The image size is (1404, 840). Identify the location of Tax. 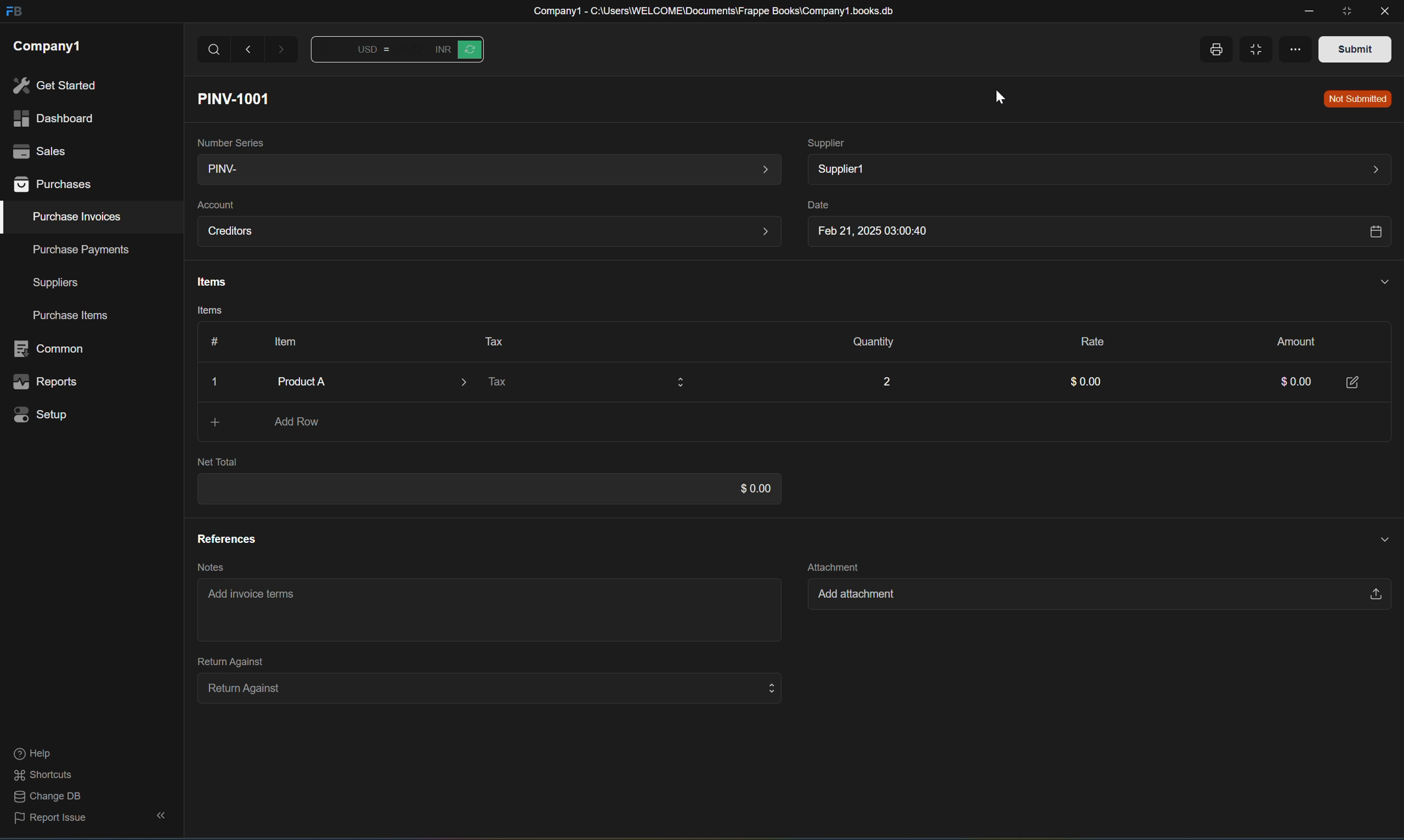
(489, 340).